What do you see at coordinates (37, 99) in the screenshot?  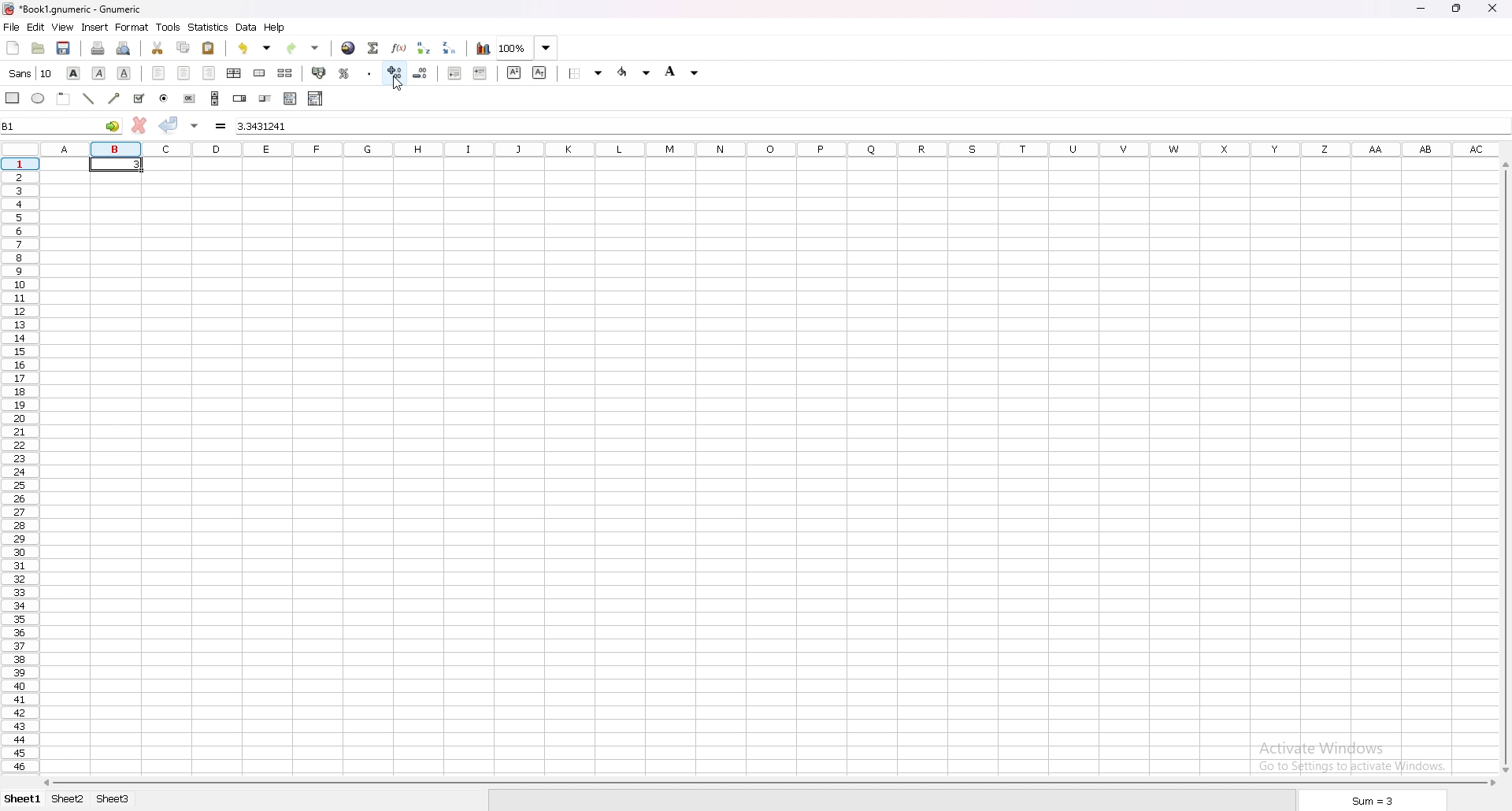 I see `ellipse` at bounding box center [37, 99].